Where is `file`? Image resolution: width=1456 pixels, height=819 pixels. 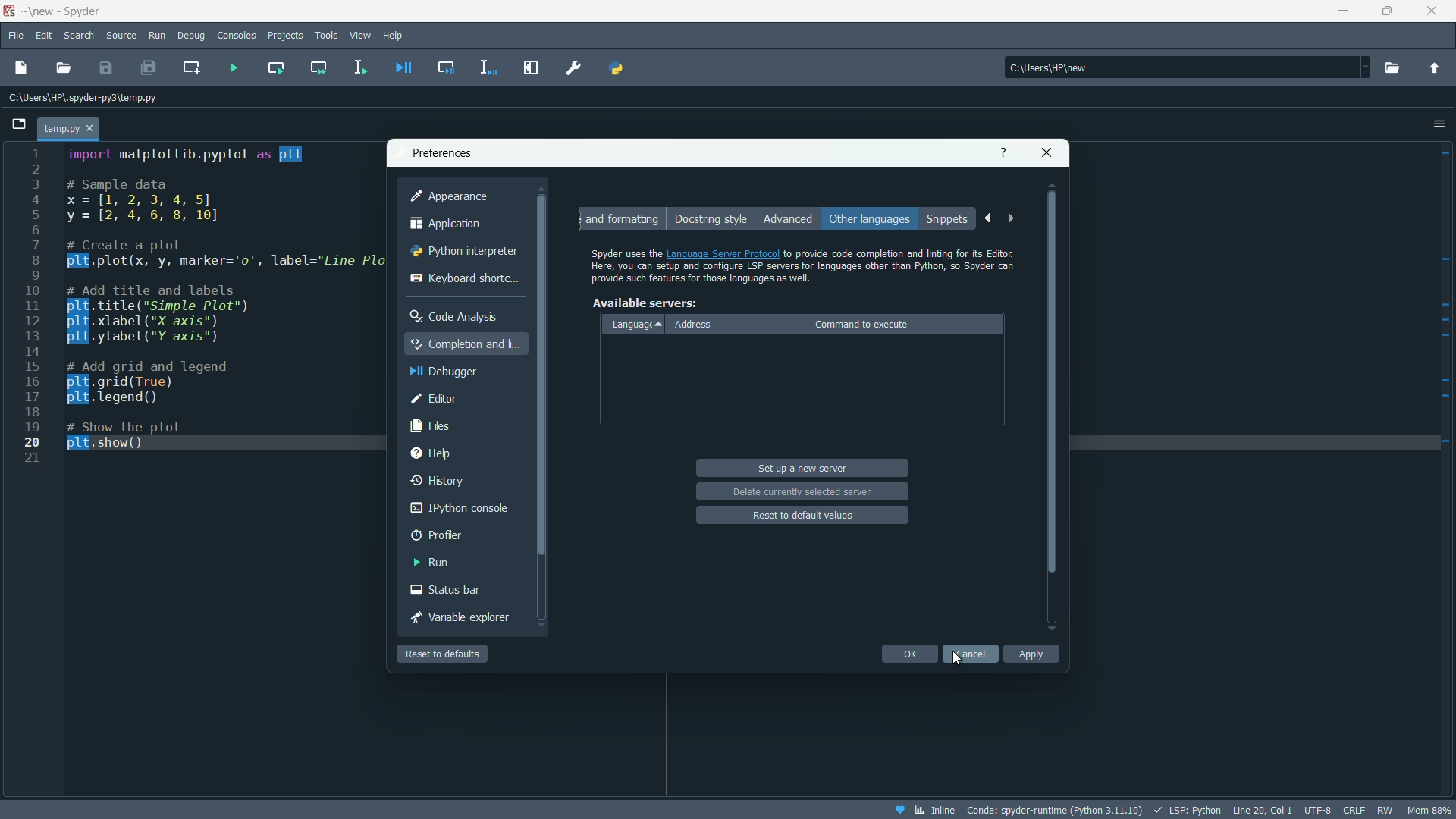
file is located at coordinates (14, 35).